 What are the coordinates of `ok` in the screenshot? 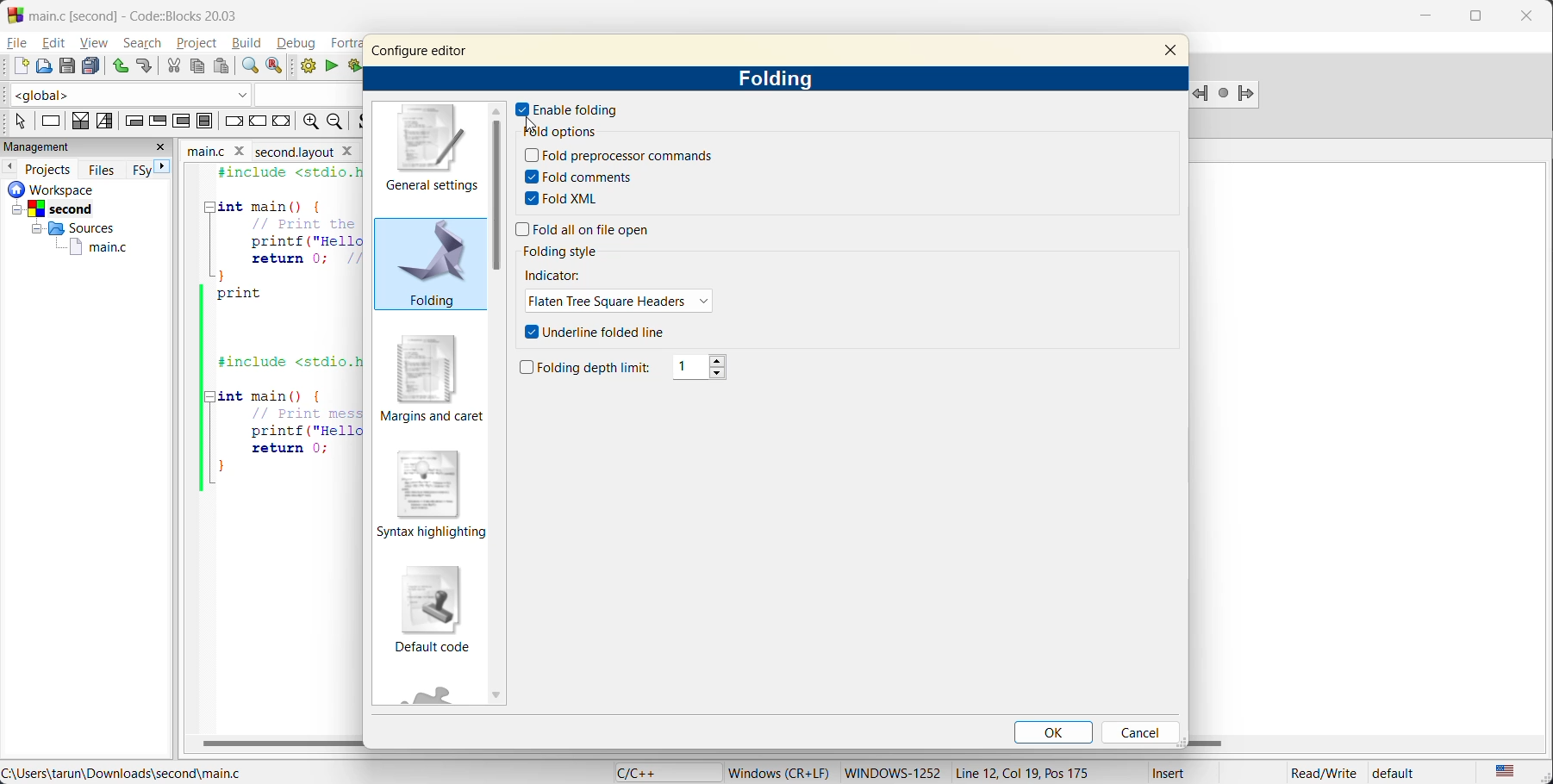 It's located at (1051, 729).